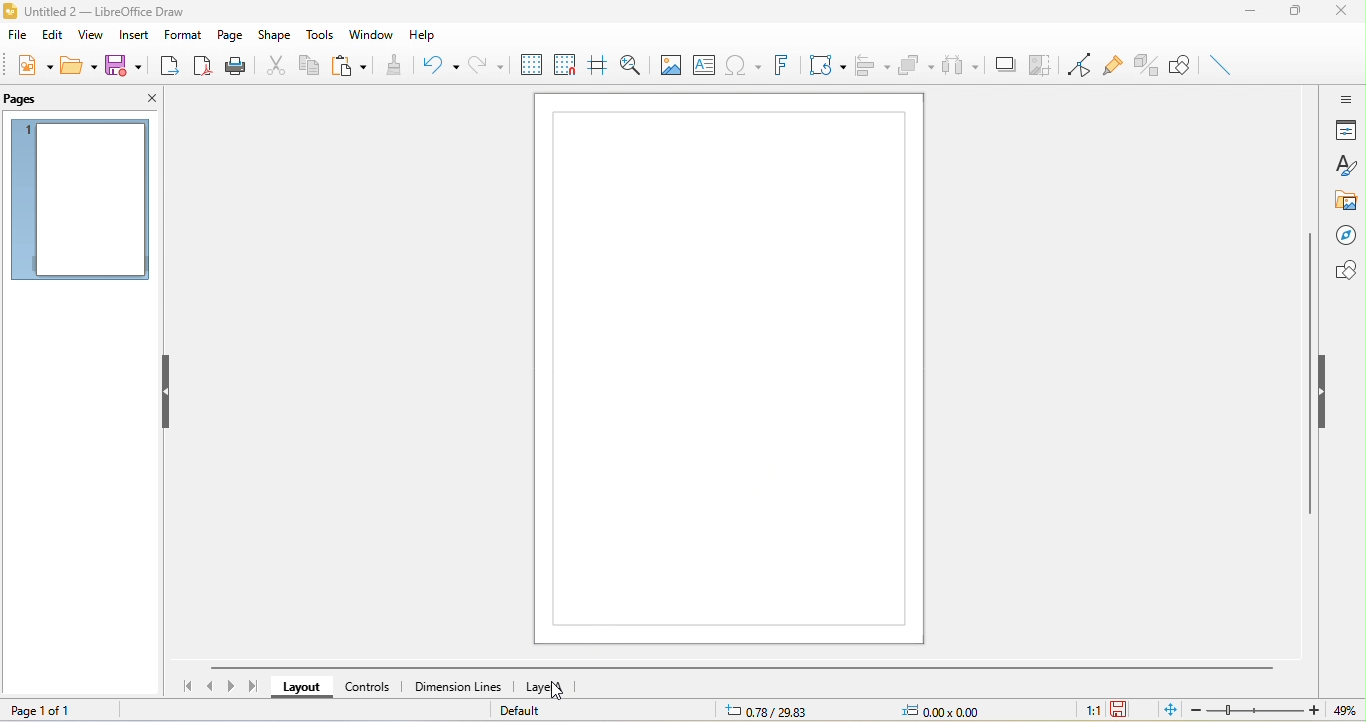 The width and height of the screenshot is (1366, 722). I want to click on 0.78/29.83, so click(763, 711).